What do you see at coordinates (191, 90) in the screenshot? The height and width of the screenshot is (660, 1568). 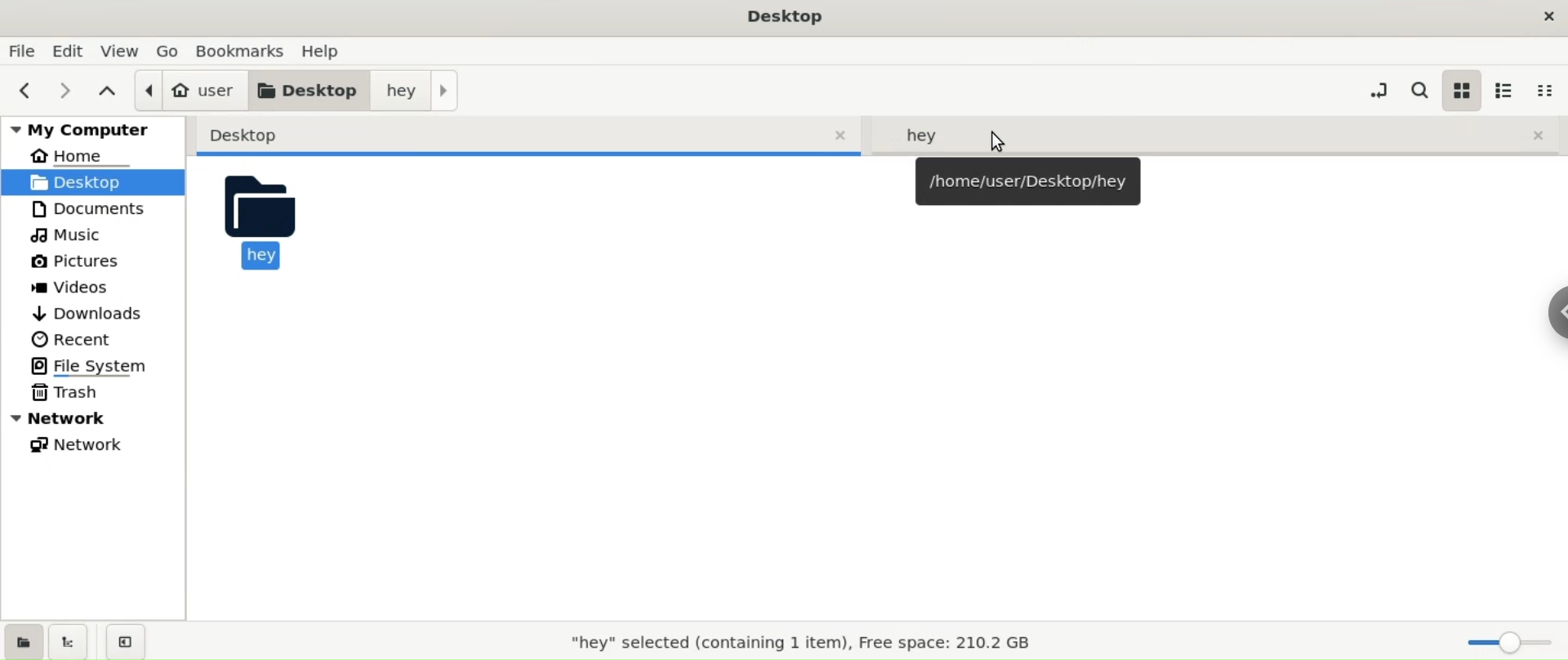 I see `user` at bounding box center [191, 90].